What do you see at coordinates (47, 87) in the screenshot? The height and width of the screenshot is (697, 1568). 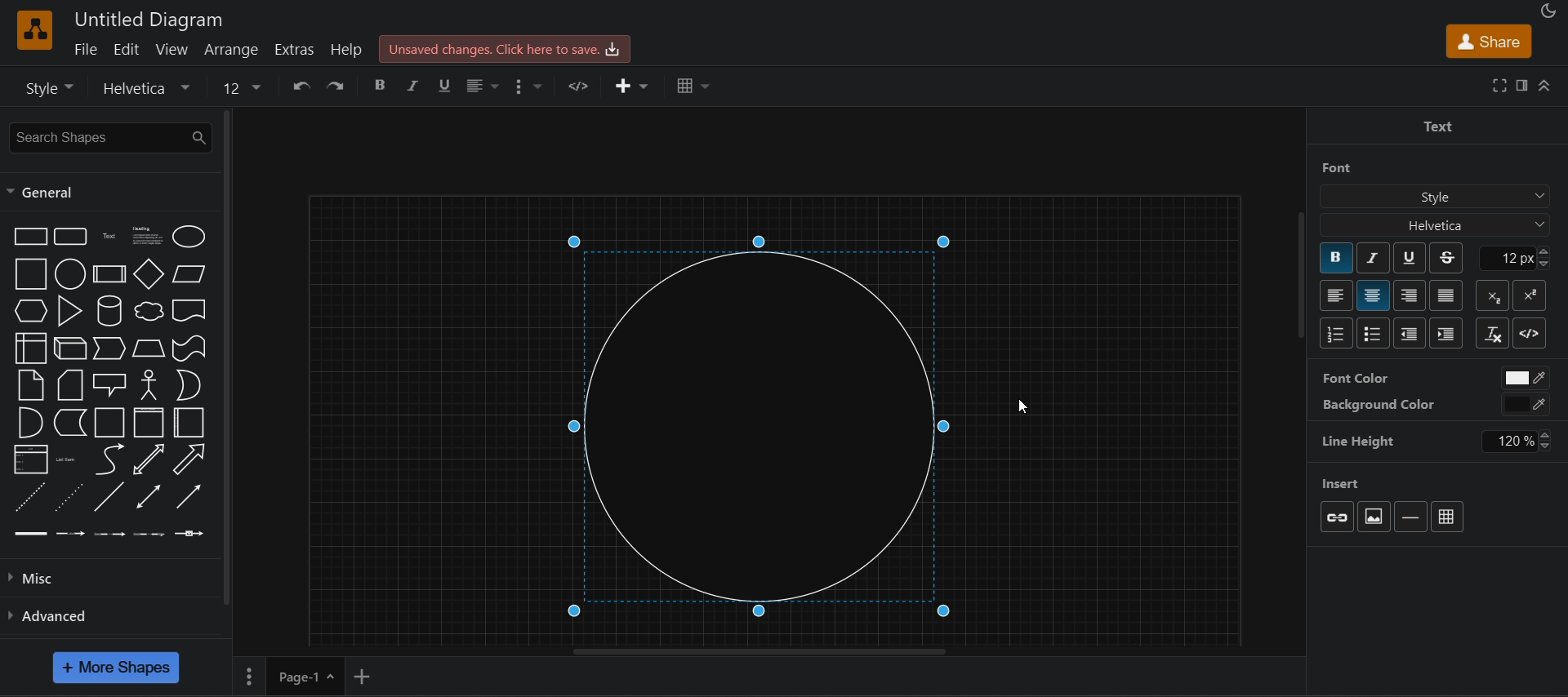 I see `style` at bounding box center [47, 87].